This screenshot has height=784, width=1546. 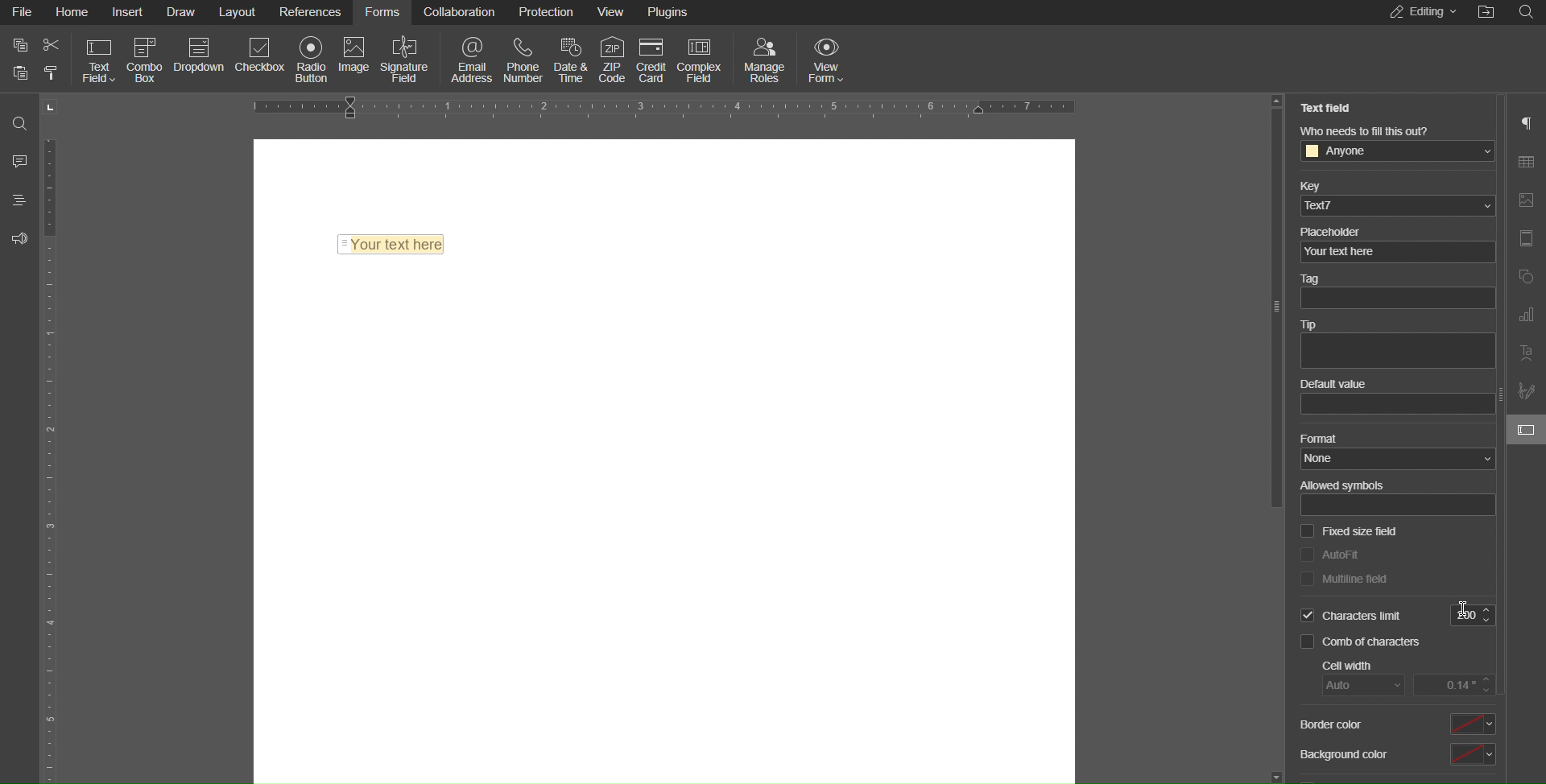 I want to click on Cell Width, so click(x=1411, y=678).